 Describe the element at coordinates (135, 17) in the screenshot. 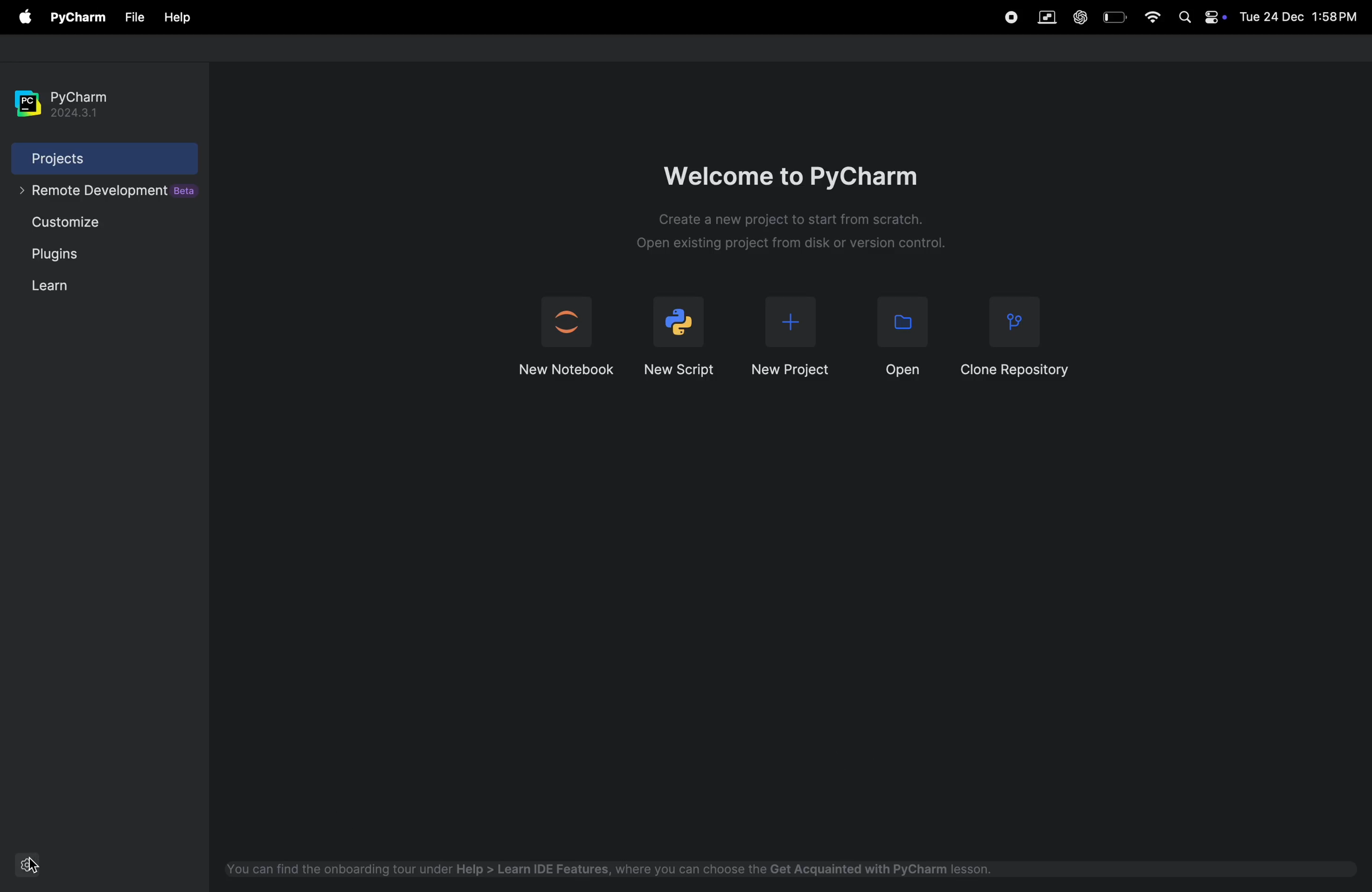

I see `file` at that location.